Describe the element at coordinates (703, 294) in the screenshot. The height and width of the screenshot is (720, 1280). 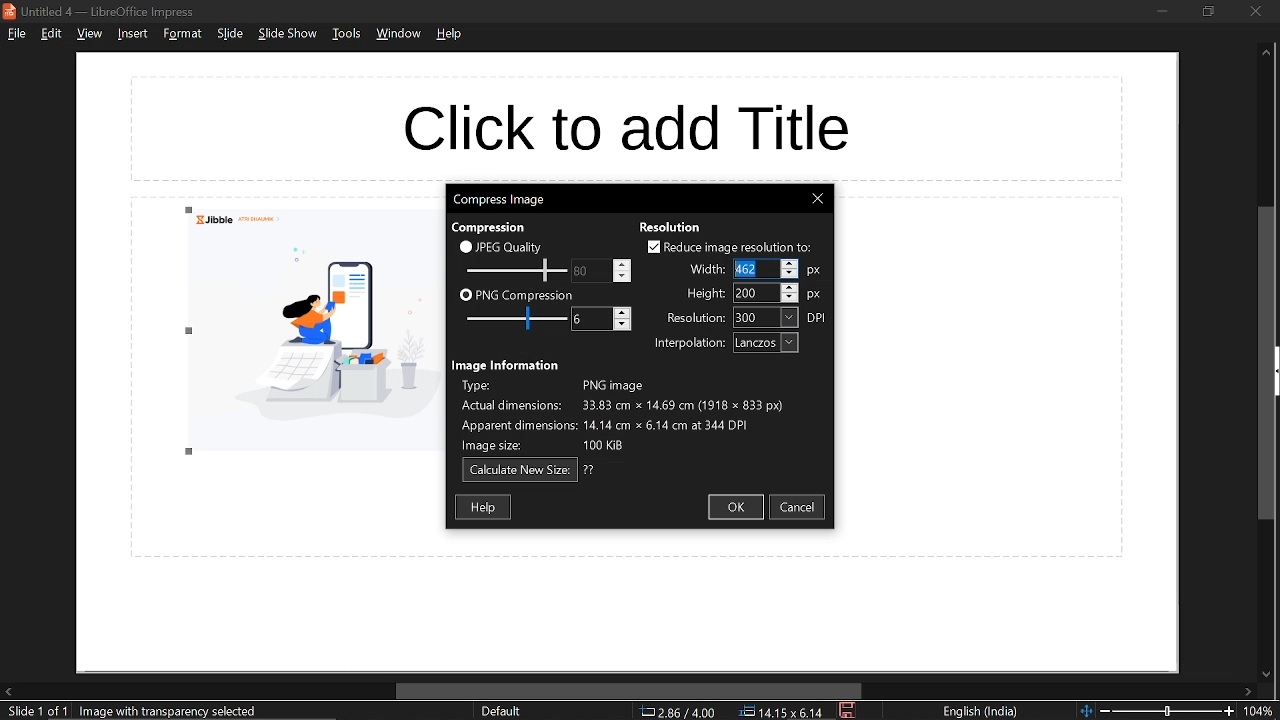
I see `height` at that location.